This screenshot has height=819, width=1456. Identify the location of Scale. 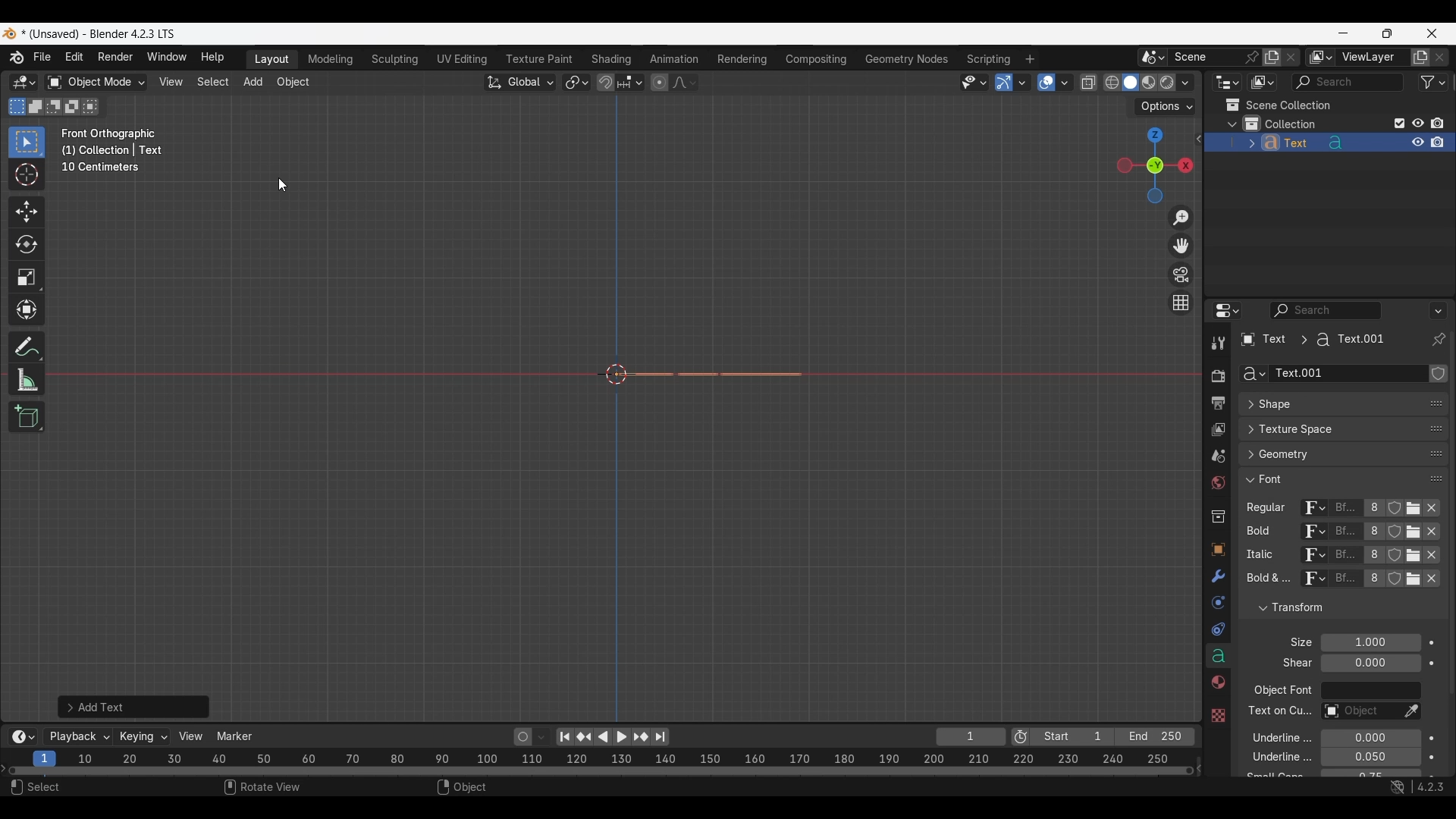
(27, 278).